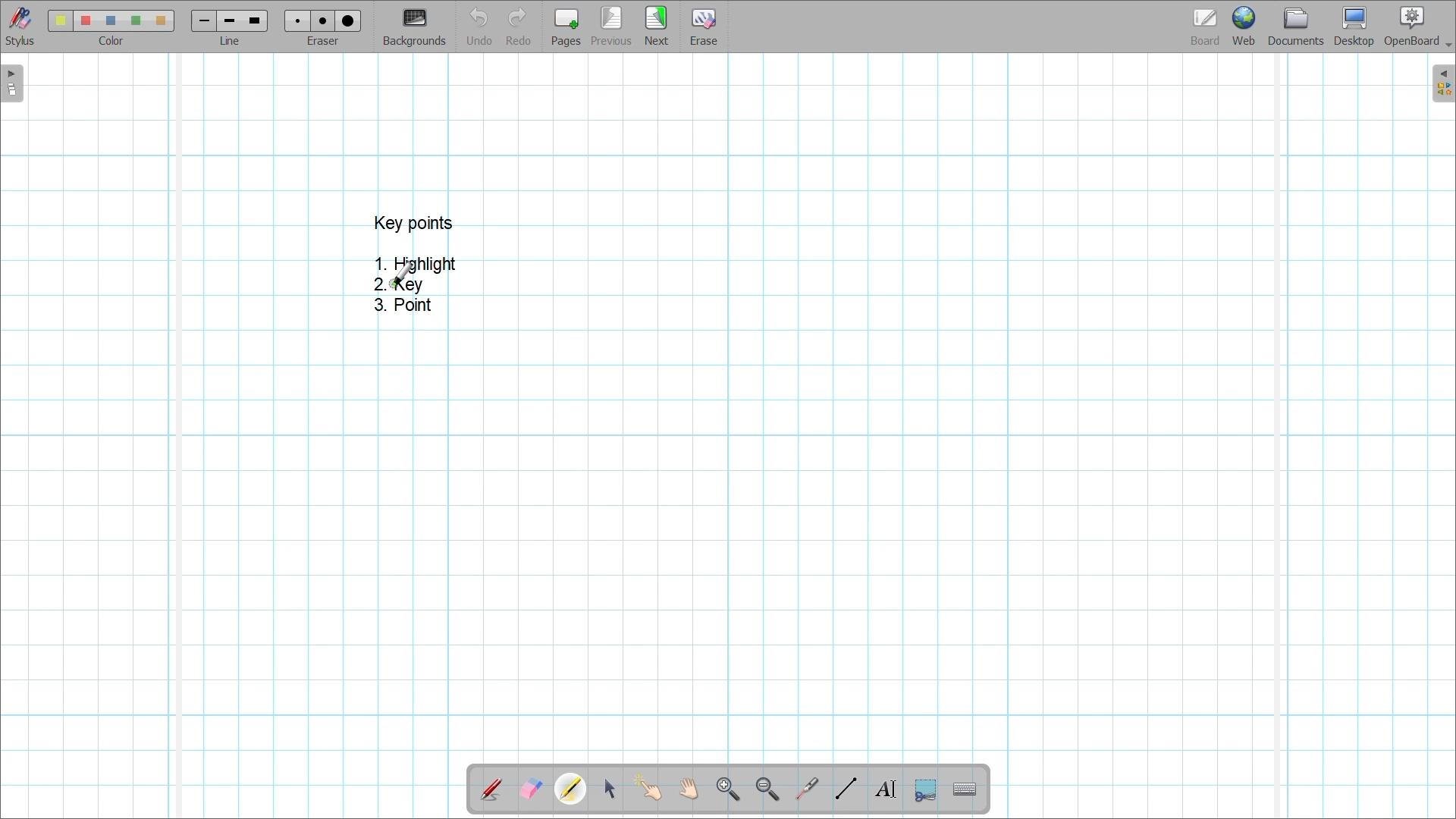 The width and height of the screenshot is (1456, 819). I want to click on Stylus menu at the bottom of the page, so click(21, 27).